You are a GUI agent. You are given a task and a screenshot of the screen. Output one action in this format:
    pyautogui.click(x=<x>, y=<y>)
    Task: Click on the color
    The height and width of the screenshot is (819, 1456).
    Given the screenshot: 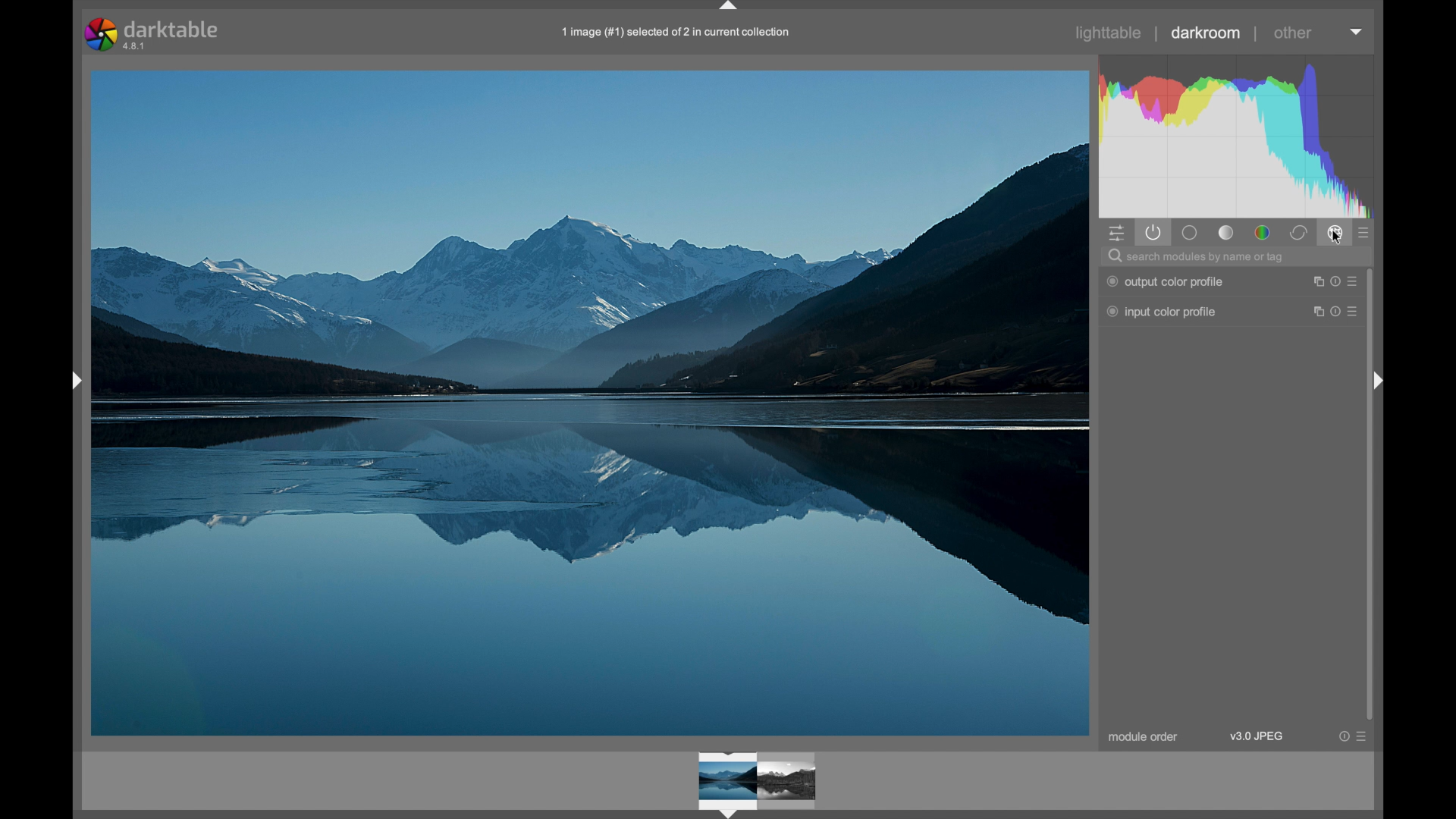 What is the action you would take?
    pyautogui.click(x=1263, y=234)
    